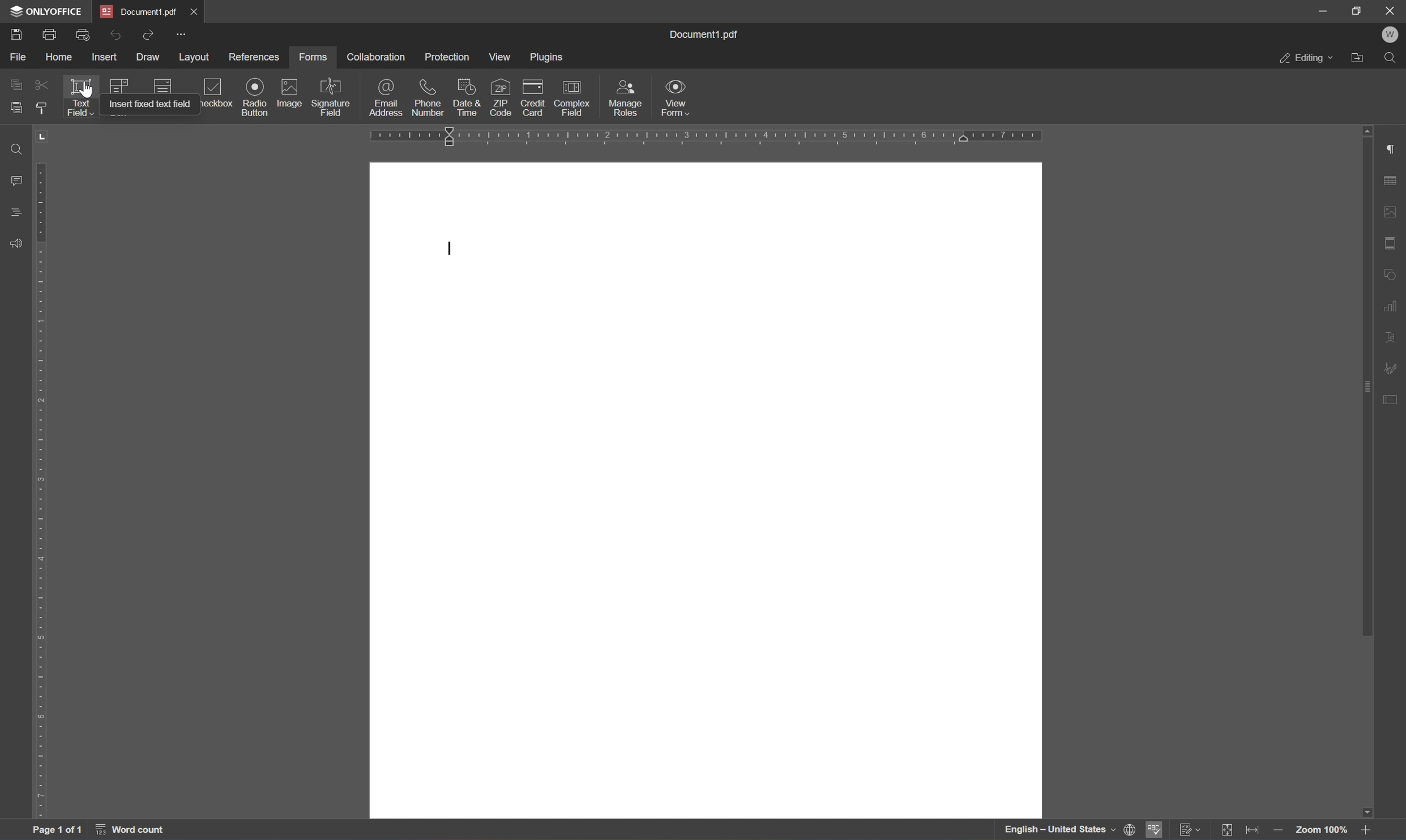 Image resolution: width=1406 pixels, height=840 pixels. Describe the element at coordinates (105, 57) in the screenshot. I see `insert` at that location.